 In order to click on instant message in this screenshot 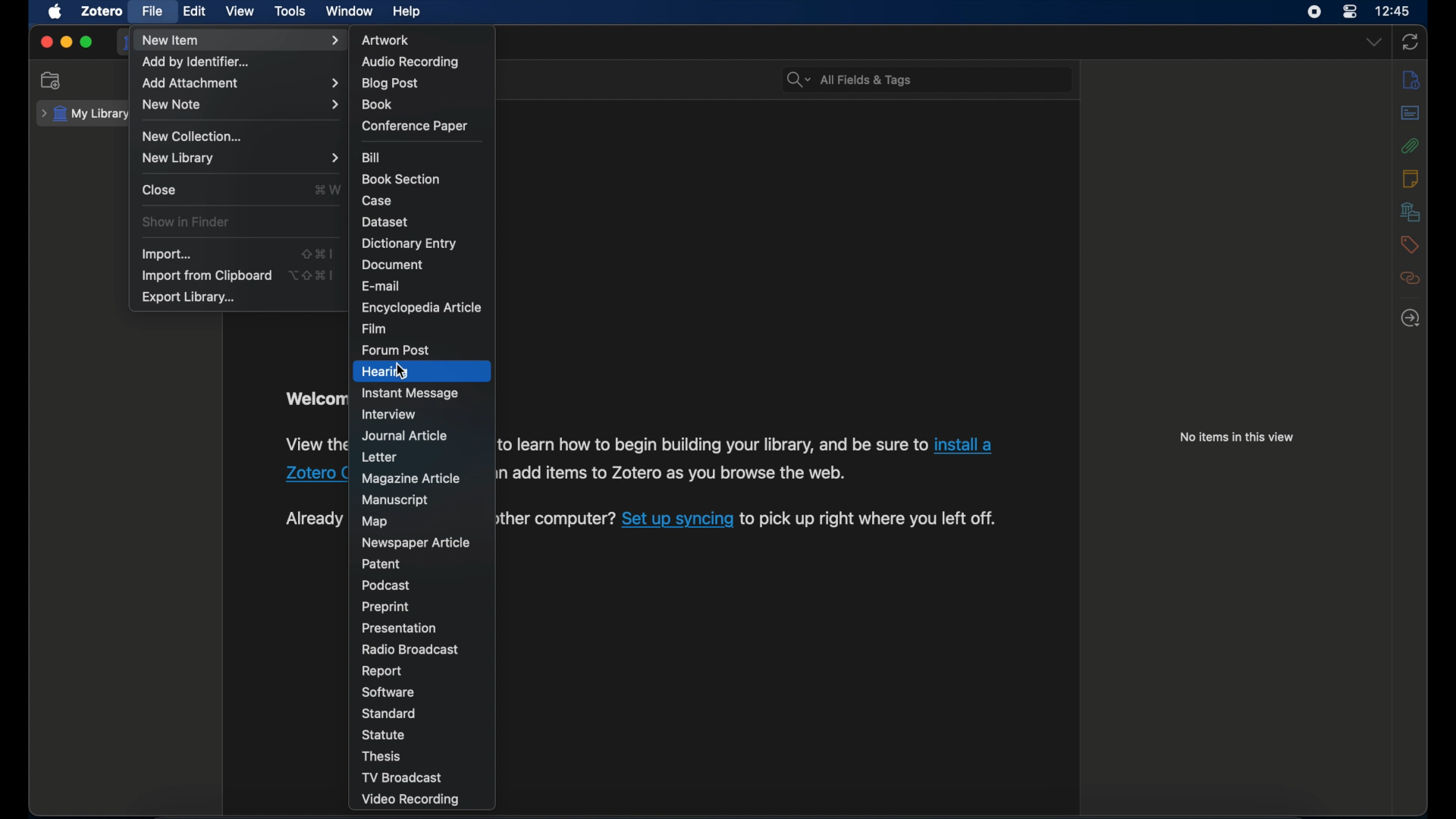, I will do `click(409, 393)`.